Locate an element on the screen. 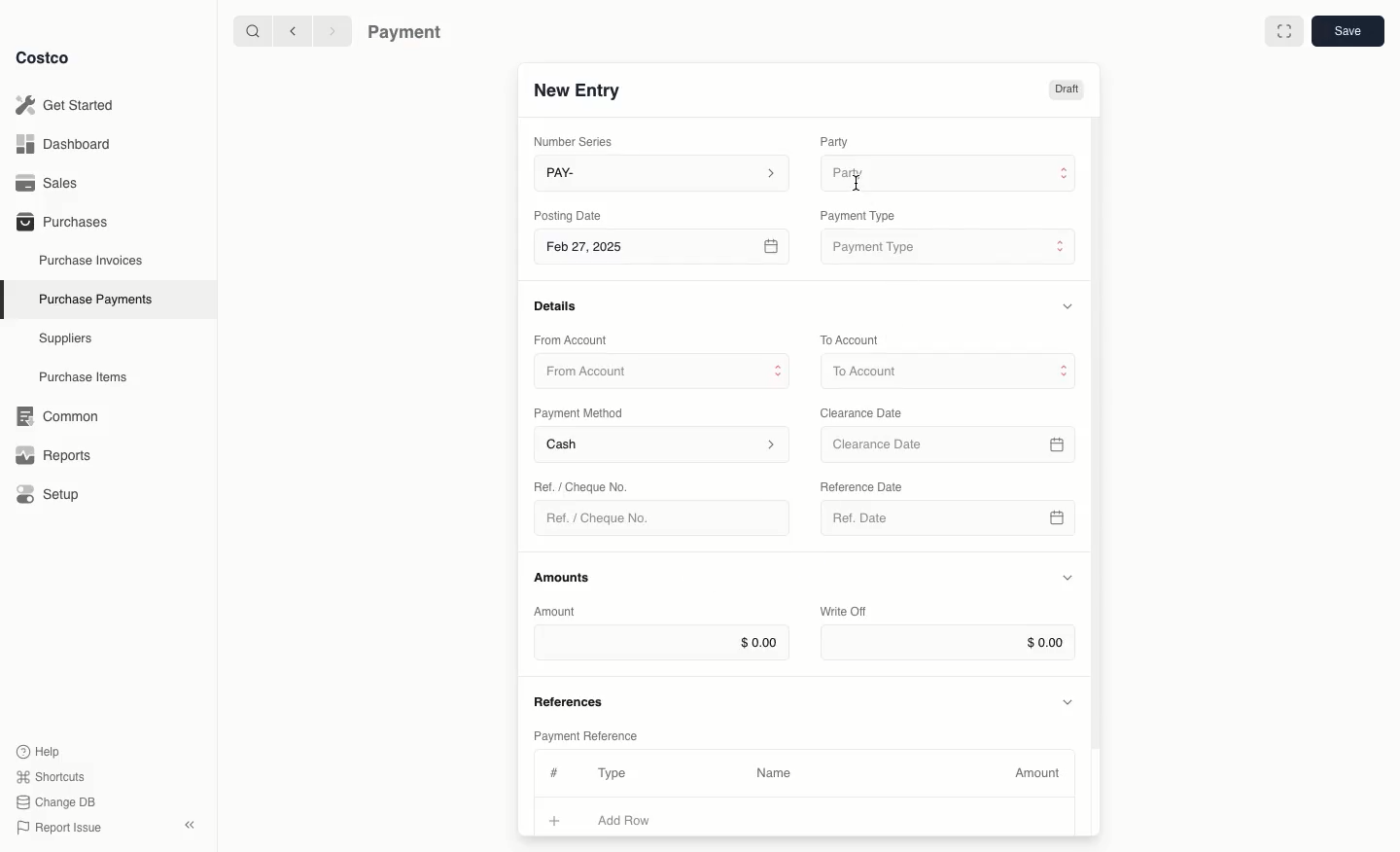 This screenshot has width=1400, height=852. Party is located at coordinates (838, 141).